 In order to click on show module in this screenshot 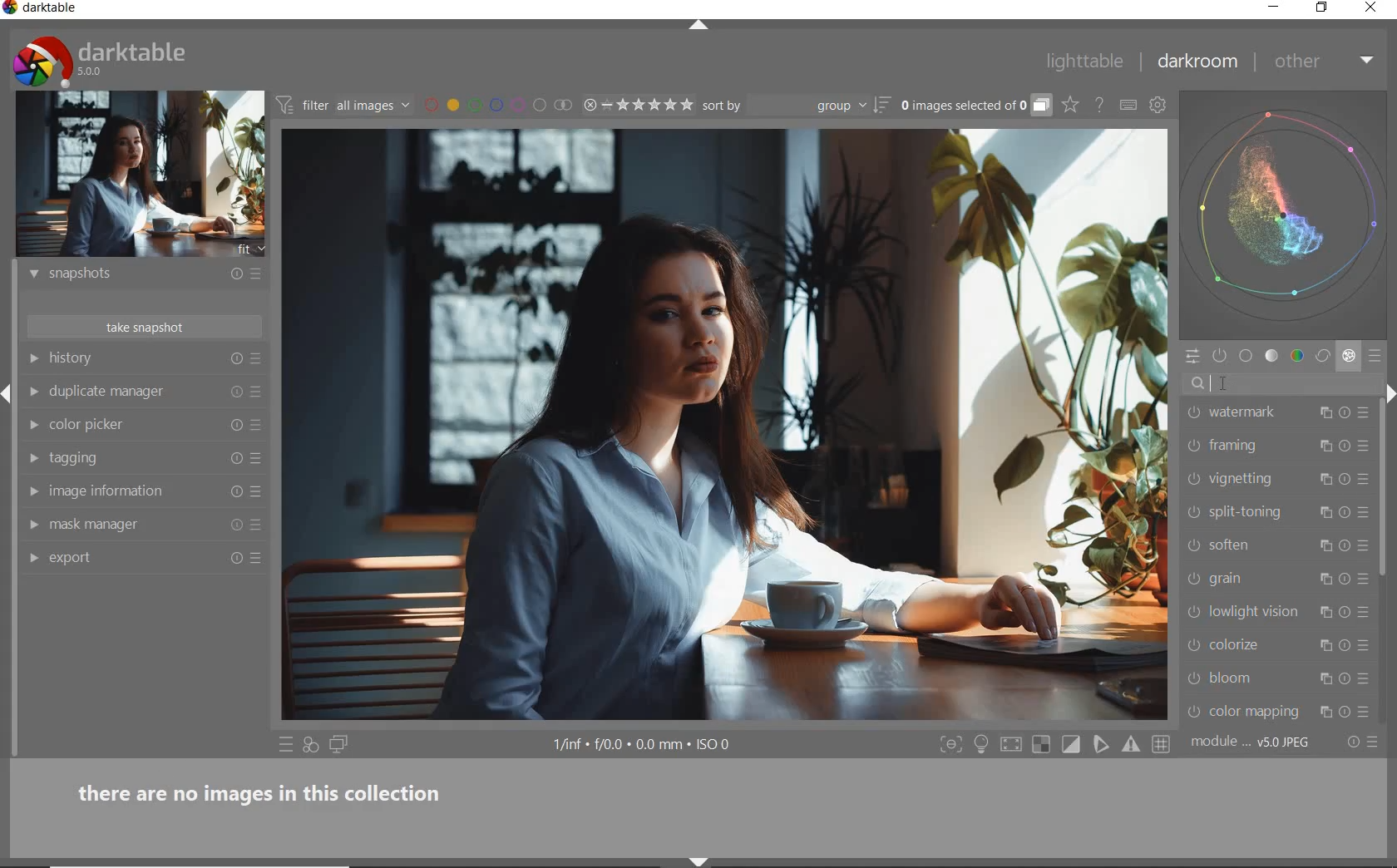, I will do `click(37, 426)`.